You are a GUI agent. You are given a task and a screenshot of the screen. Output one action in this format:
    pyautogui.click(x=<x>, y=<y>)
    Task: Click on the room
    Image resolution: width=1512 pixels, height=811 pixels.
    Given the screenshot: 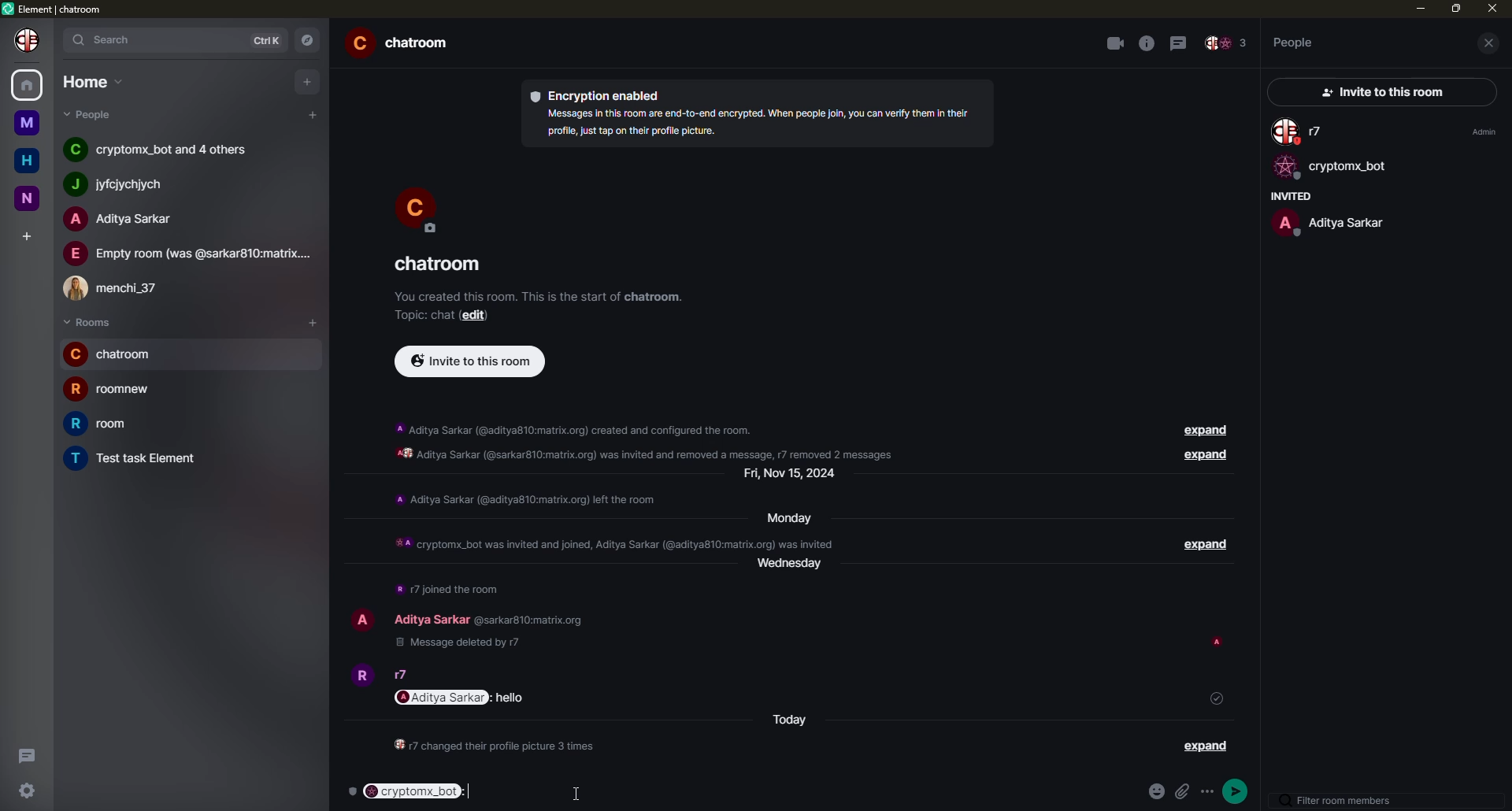 What is the action you would take?
    pyautogui.click(x=115, y=354)
    